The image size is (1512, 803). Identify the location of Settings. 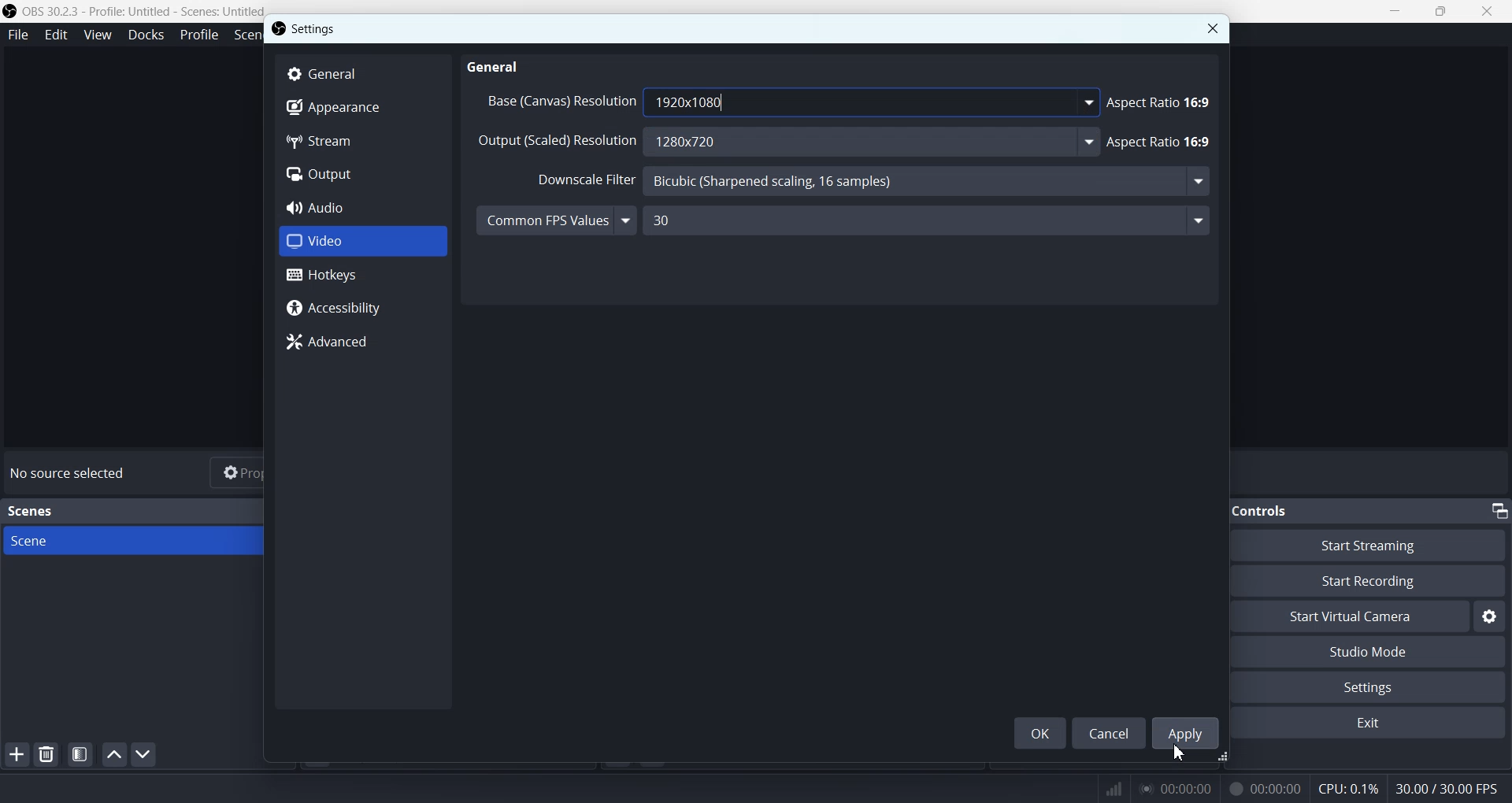
(1377, 686).